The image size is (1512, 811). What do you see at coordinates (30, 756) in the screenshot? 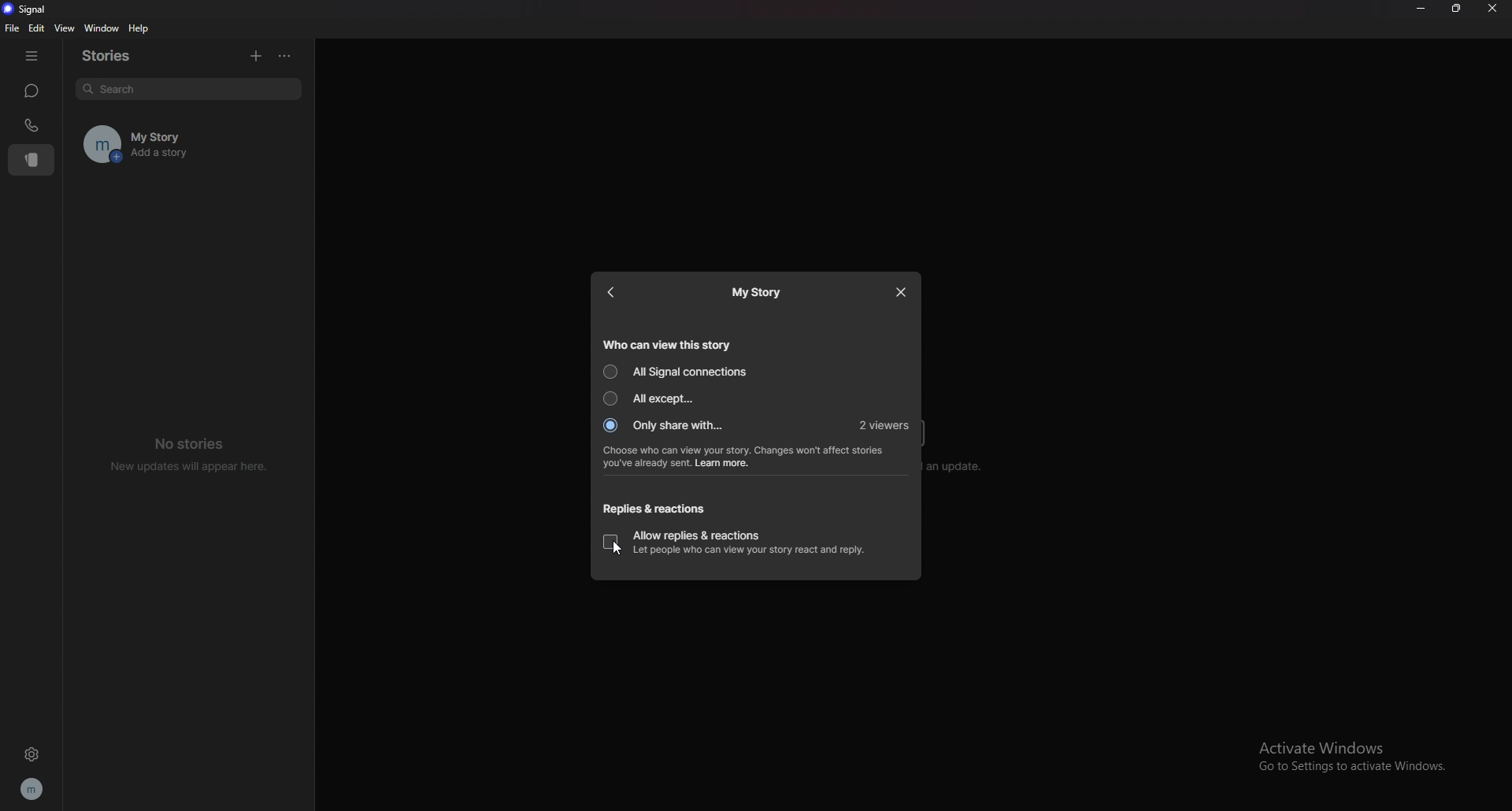
I see `settings` at bounding box center [30, 756].